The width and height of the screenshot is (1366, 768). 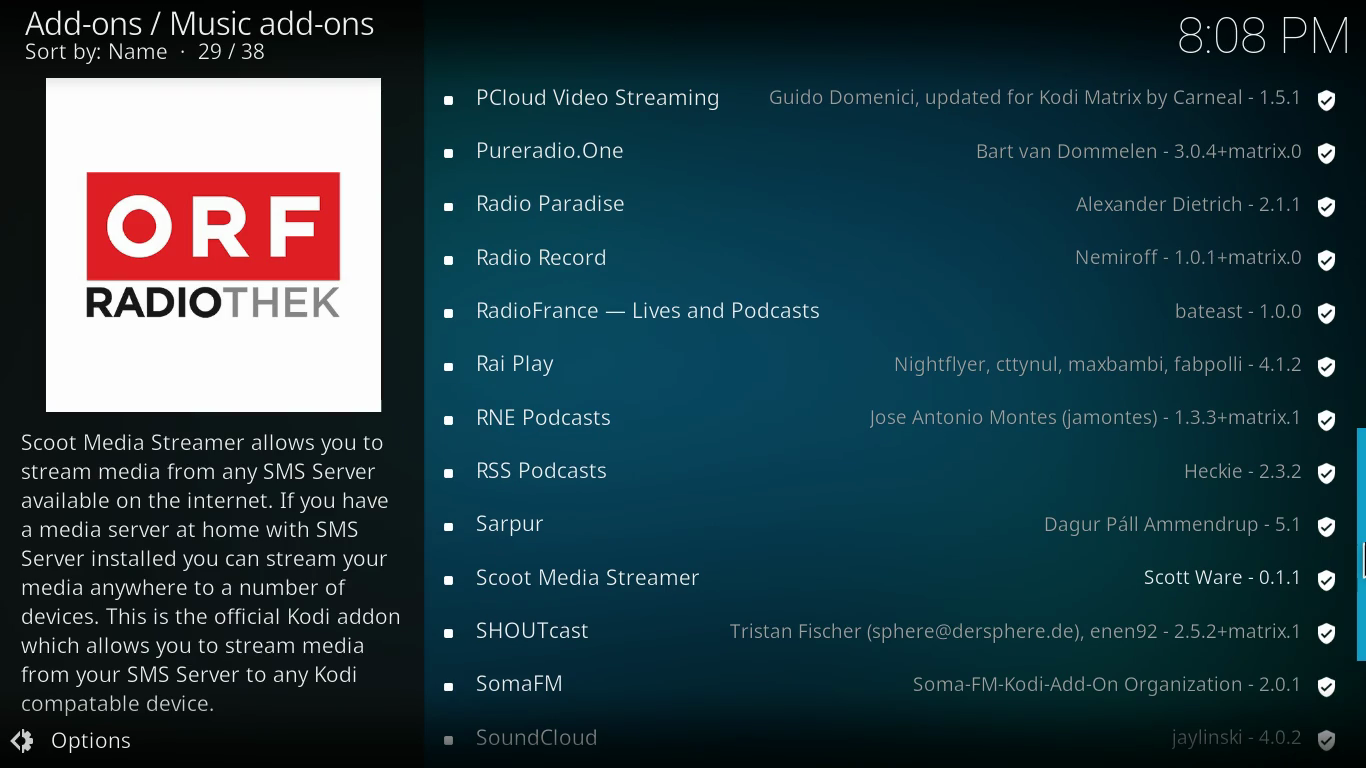 I want to click on add-on, so click(x=517, y=632).